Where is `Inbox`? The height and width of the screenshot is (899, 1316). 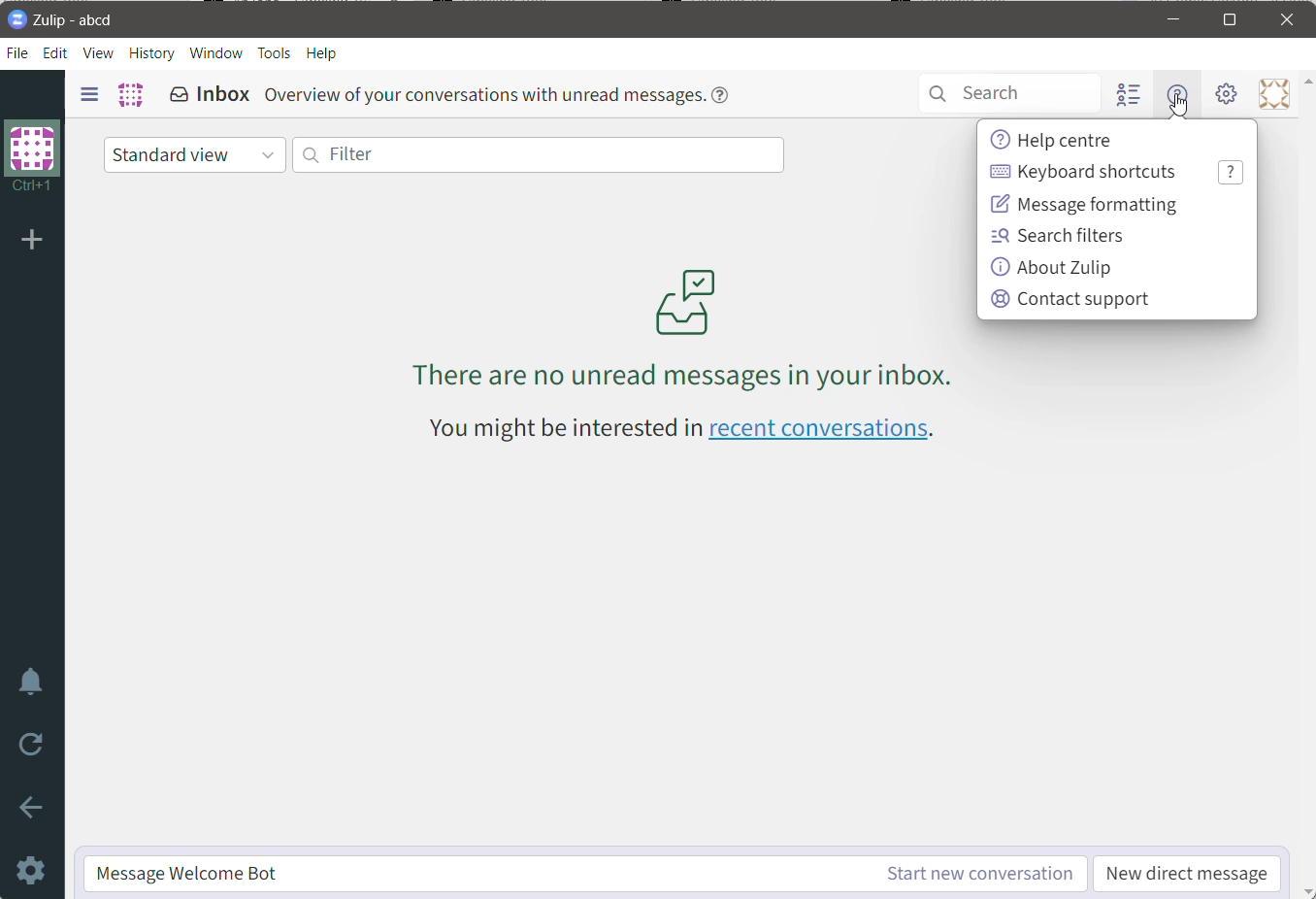
Inbox is located at coordinates (210, 94).